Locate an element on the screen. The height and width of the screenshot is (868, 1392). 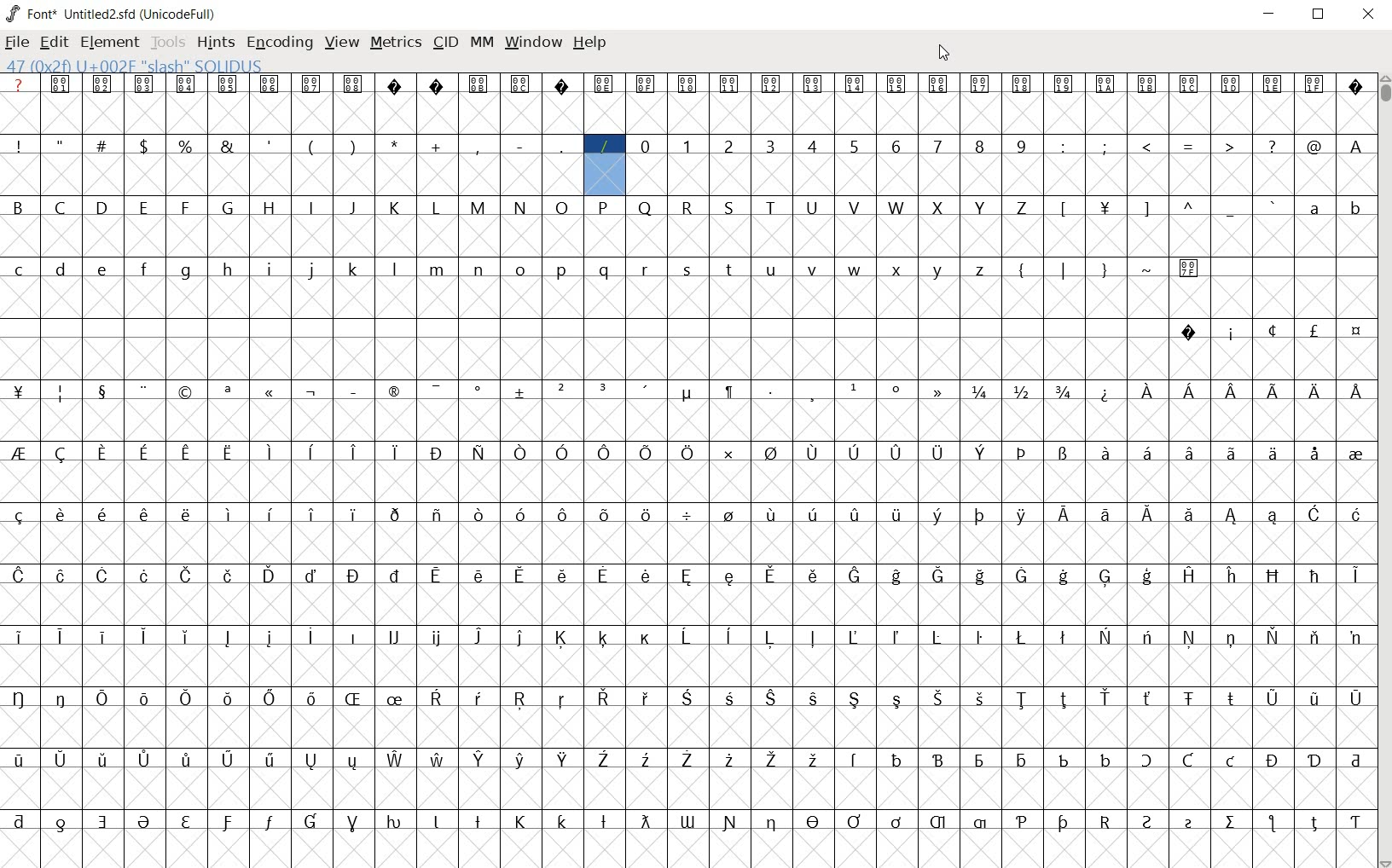
VIEW is located at coordinates (342, 40).